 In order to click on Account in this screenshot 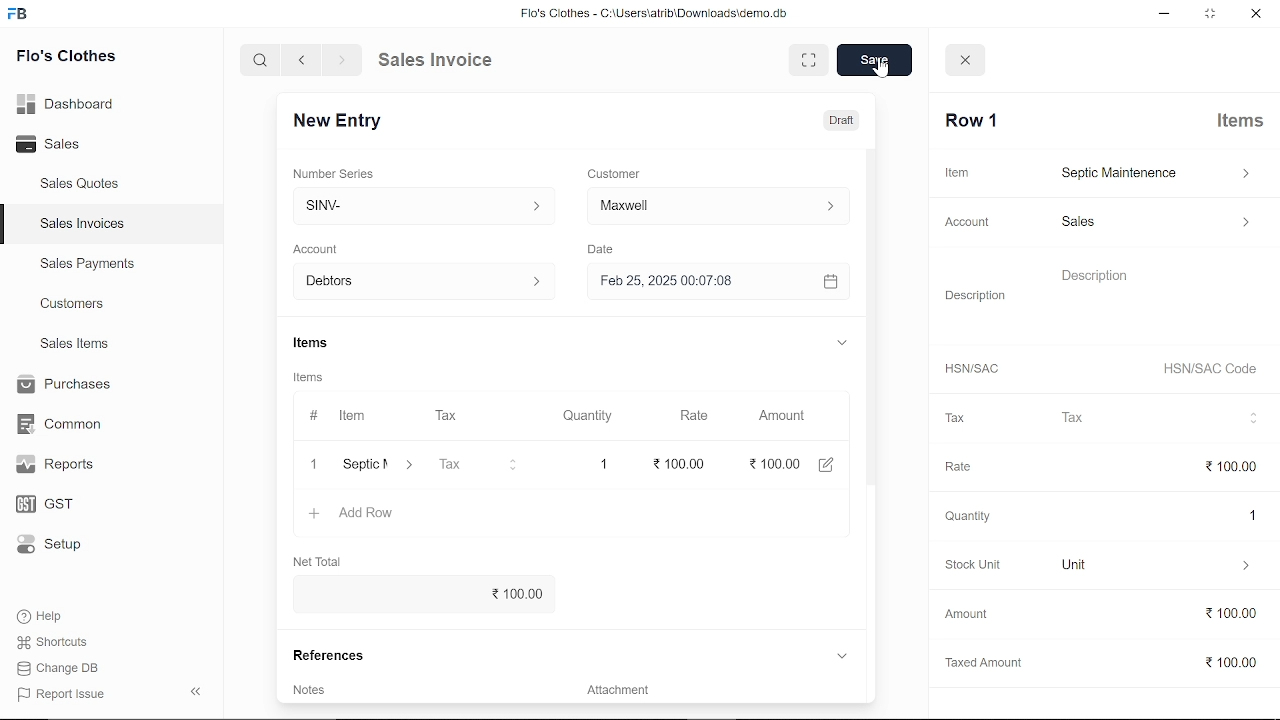, I will do `click(970, 222)`.